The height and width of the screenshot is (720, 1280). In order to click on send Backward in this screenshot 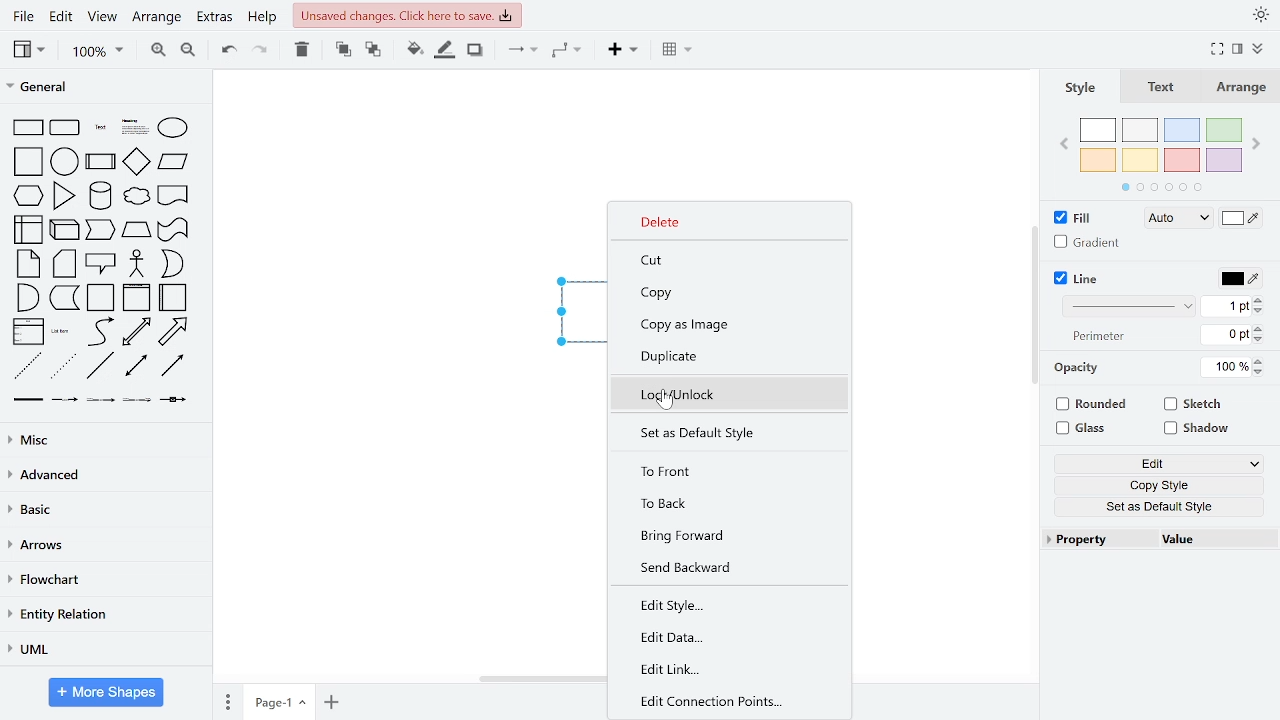, I will do `click(723, 567)`.